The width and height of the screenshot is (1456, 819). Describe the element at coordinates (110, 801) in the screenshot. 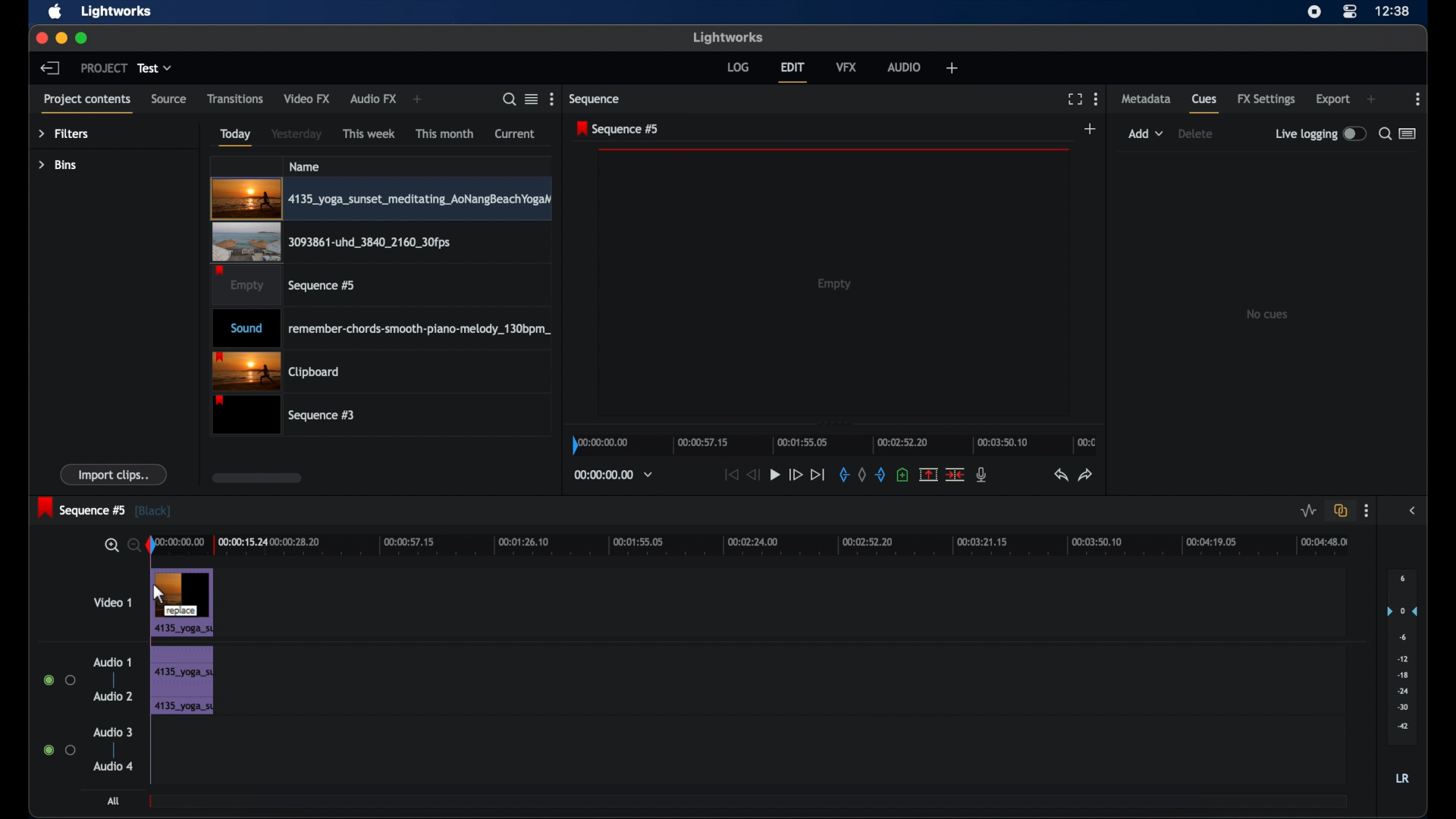

I see `All` at that location.